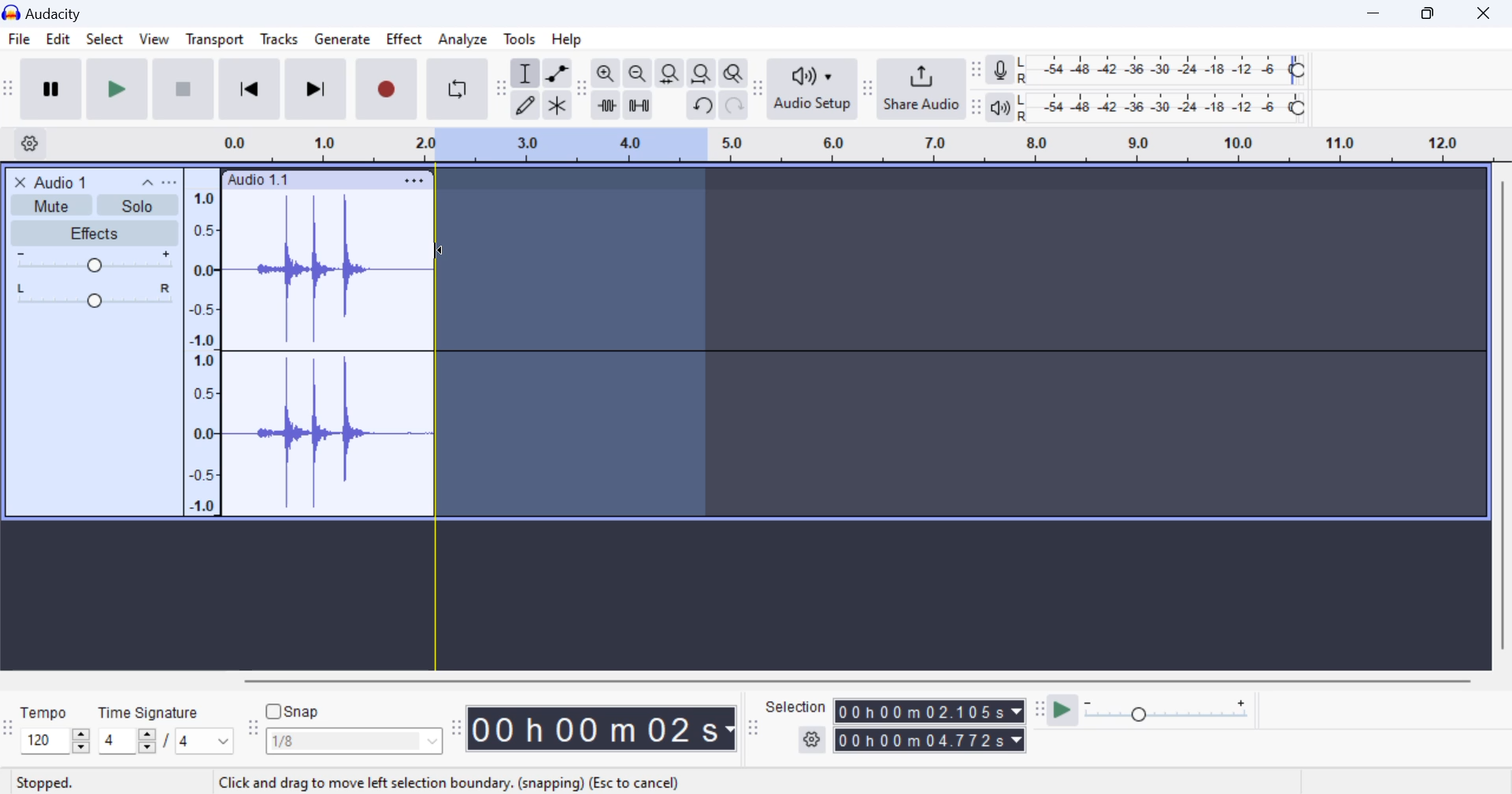  What do you see at coordinates (18, 39) in the screenshot?
I see `File` at bounding box center [18, 39].